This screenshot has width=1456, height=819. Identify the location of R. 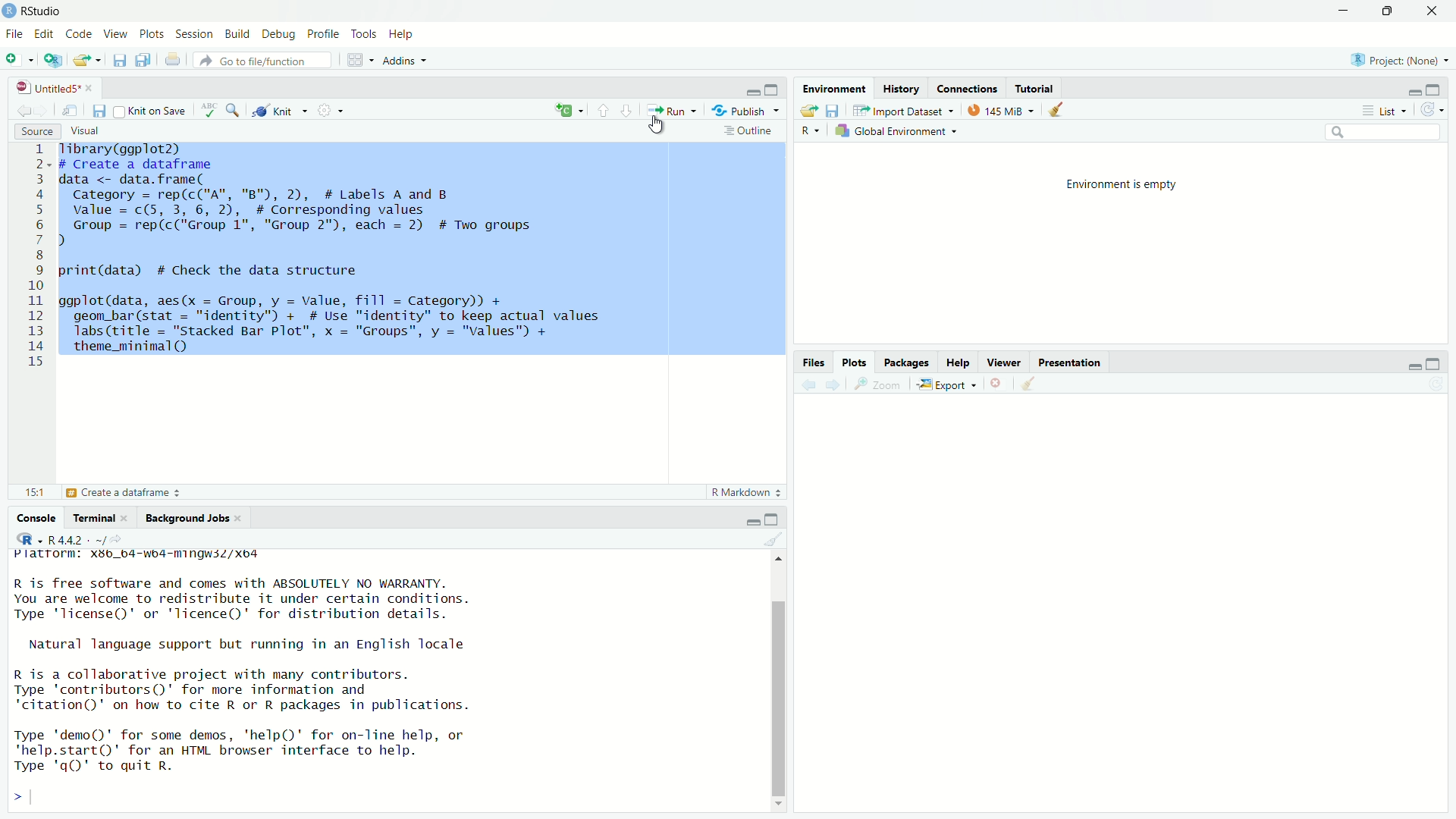
(811, 131).